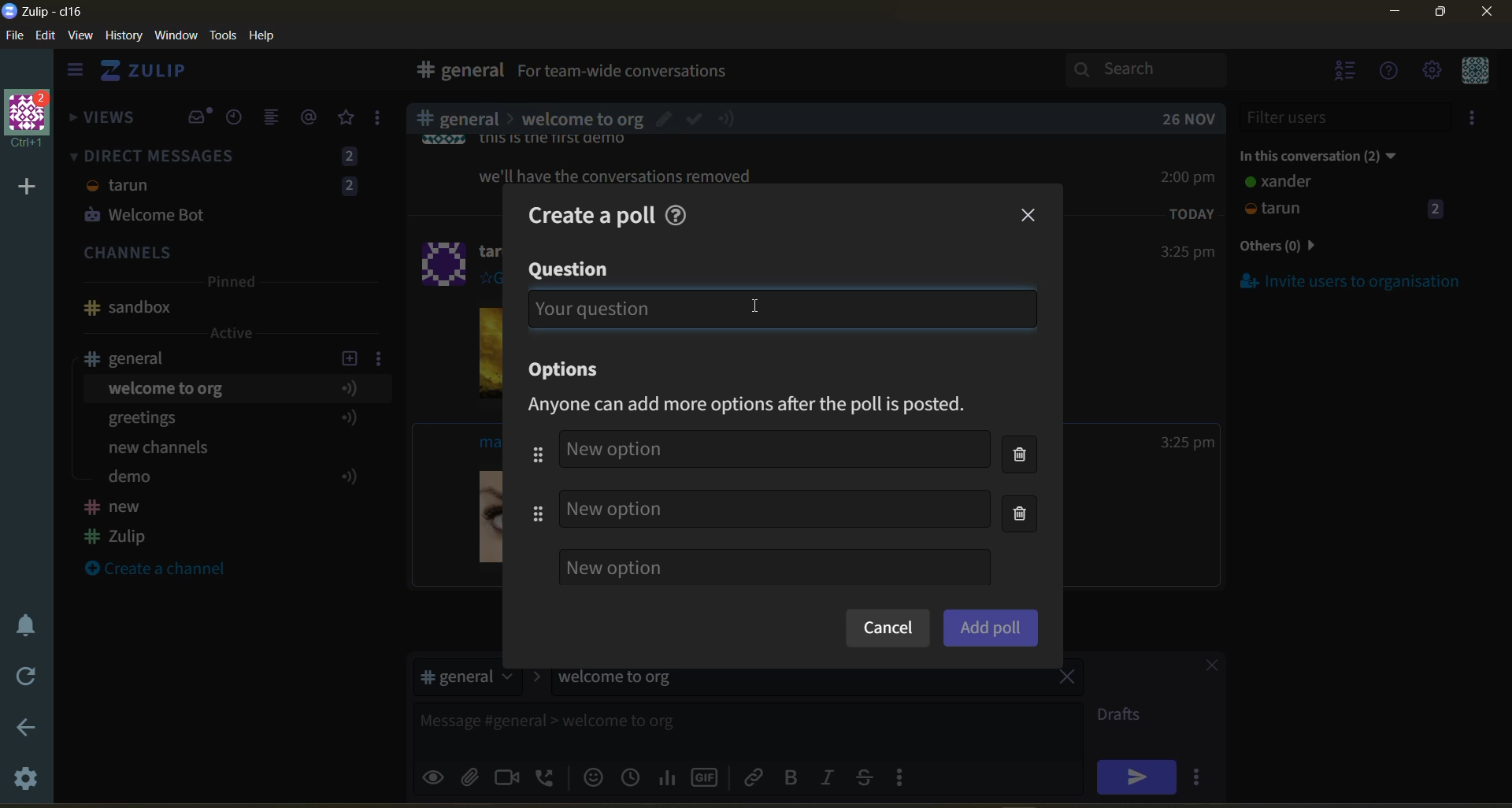 The height and width of the screenshot is (808, 1512). Describe the element at coordinates (1303, 247) in the screenshot. I see `others` at that location.